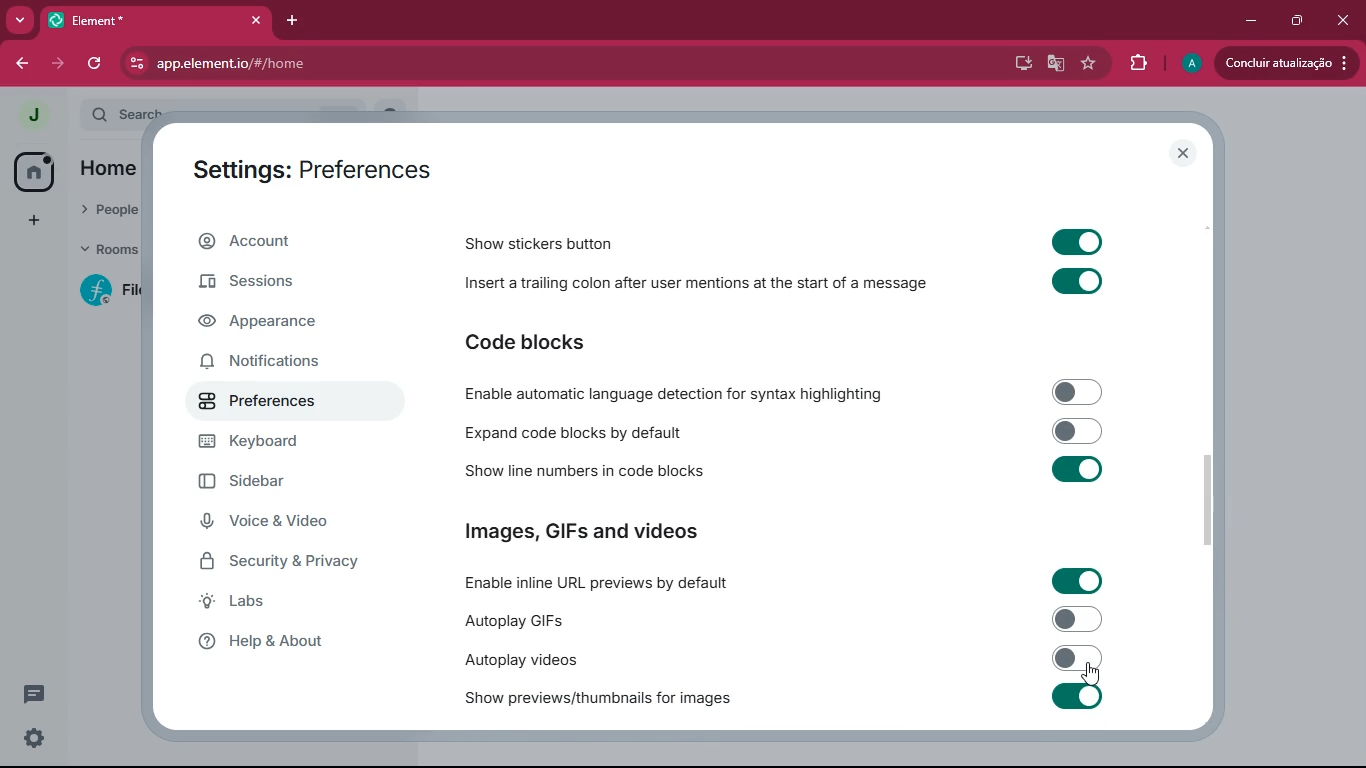 The height and width of the screenshot is (768, 1366). What do you see at coordinates (1295, 20) in the screenshot?
I see `restore down` at bounding box center [1295, 20].